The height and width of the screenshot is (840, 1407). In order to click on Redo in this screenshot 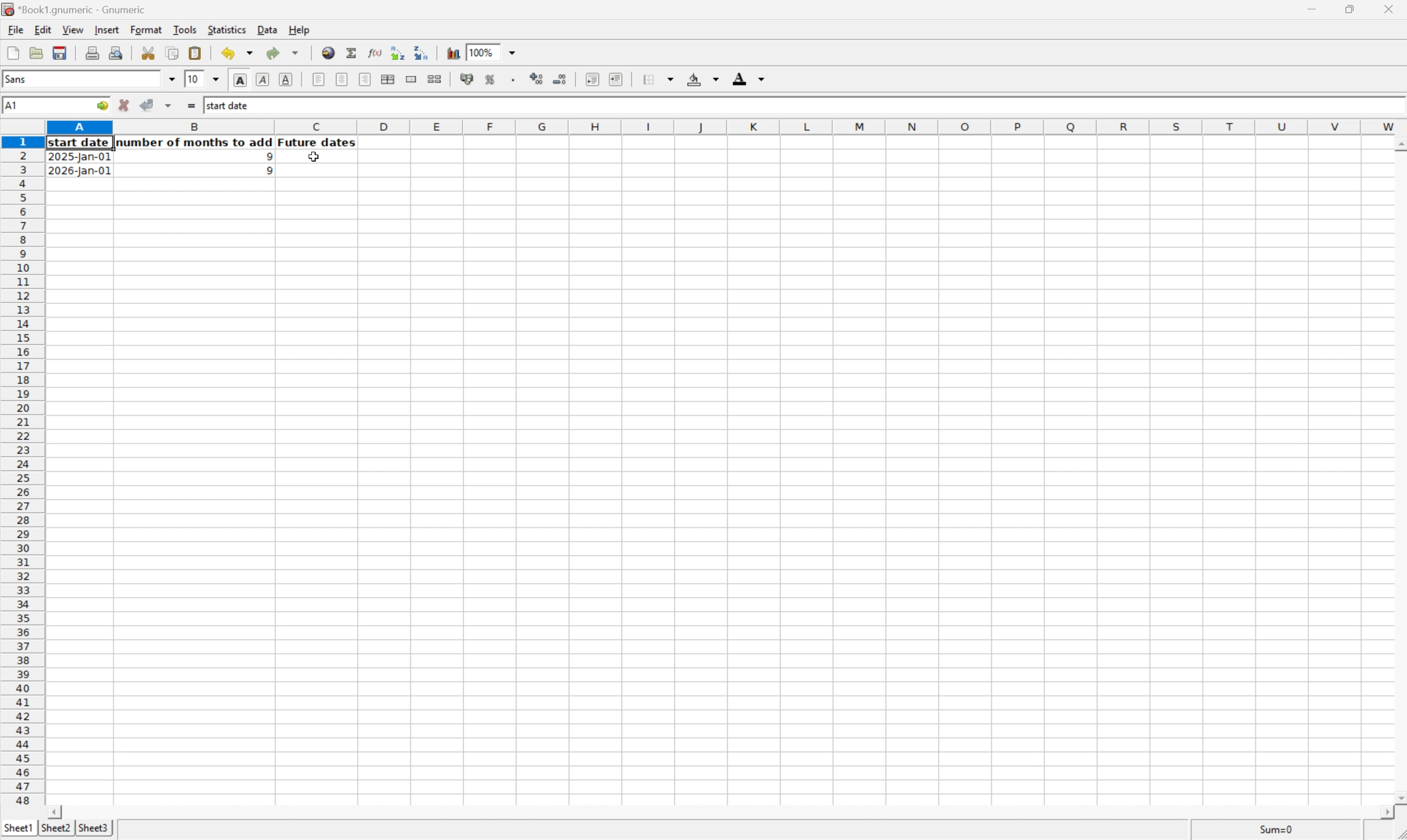, I will do `click(281, 52)`.